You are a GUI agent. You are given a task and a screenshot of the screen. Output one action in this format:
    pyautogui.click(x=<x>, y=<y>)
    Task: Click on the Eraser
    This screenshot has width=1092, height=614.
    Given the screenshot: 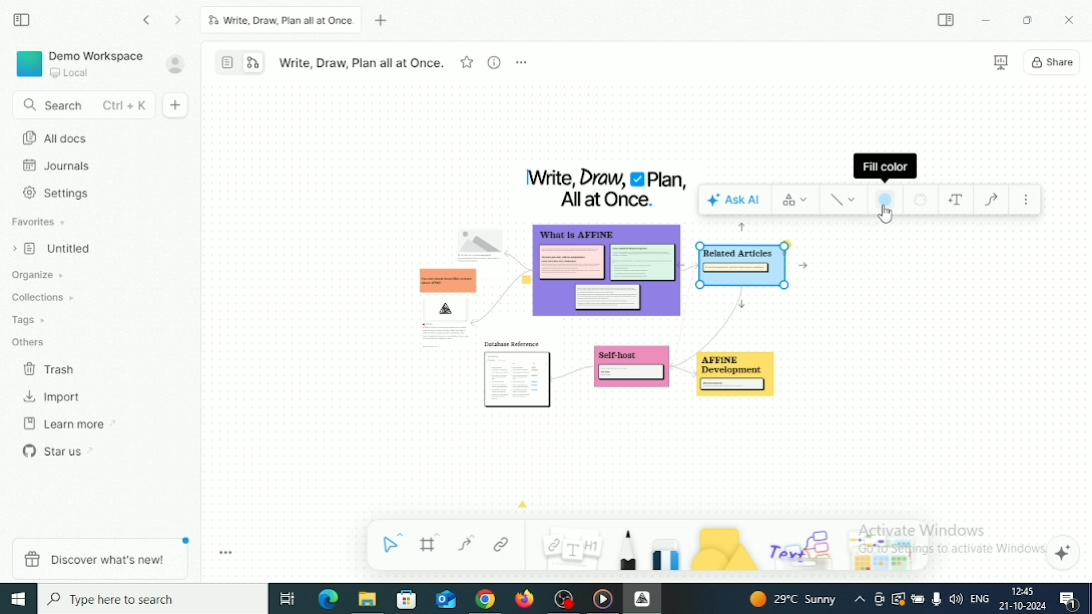 What is the action you would take?
    pyautogui.click(x=666, y=551)
    